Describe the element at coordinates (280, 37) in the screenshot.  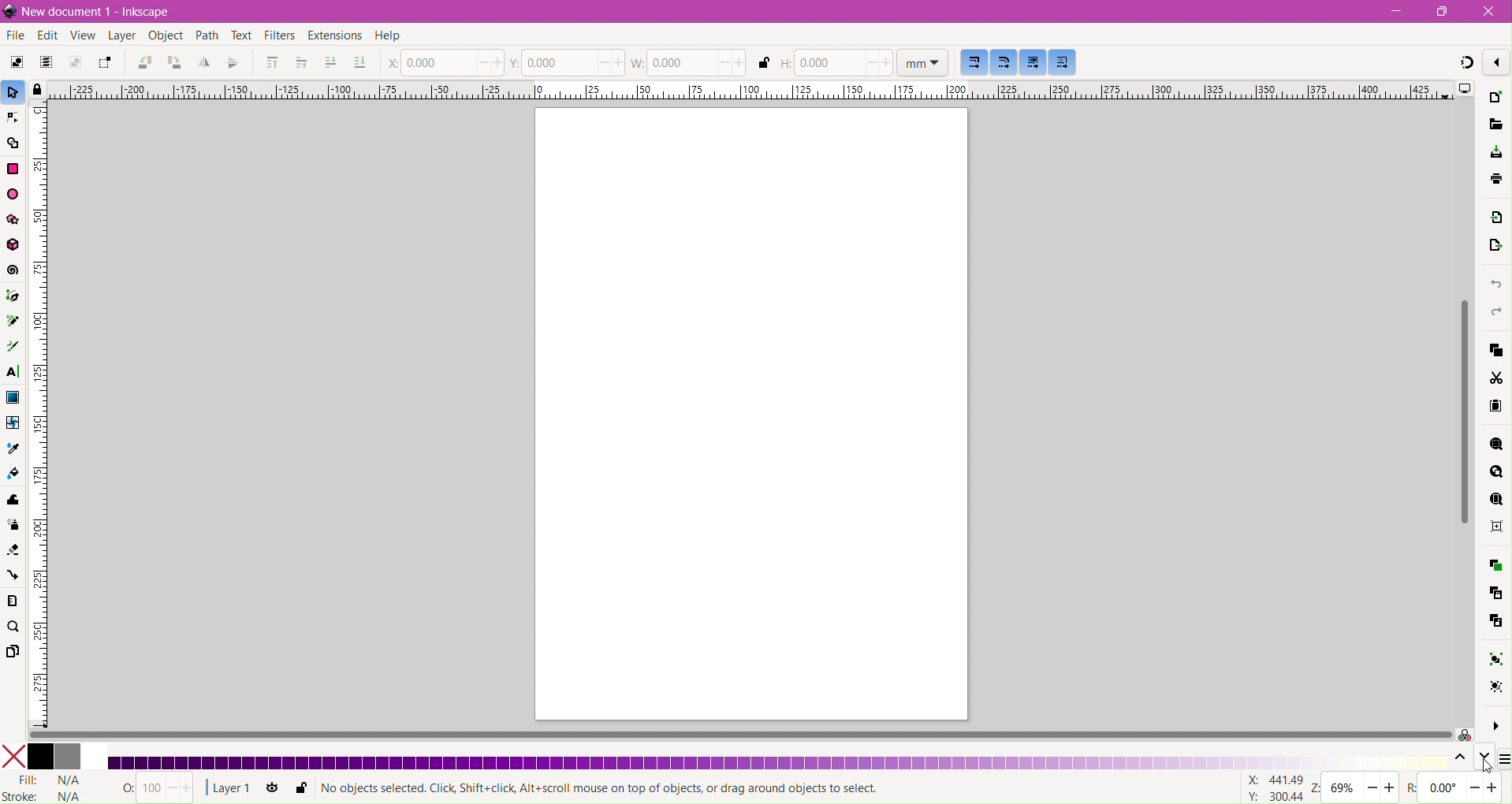
I see `Filters` at that location.